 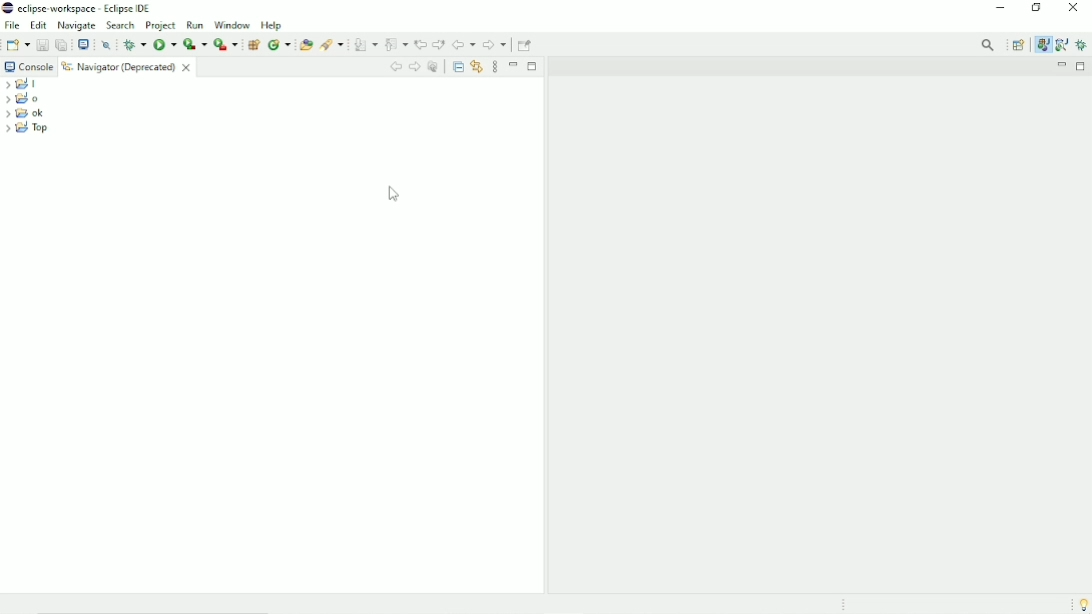 I want to click on eclipse-workspace - eclipse ide, so click(x=92, y=7).